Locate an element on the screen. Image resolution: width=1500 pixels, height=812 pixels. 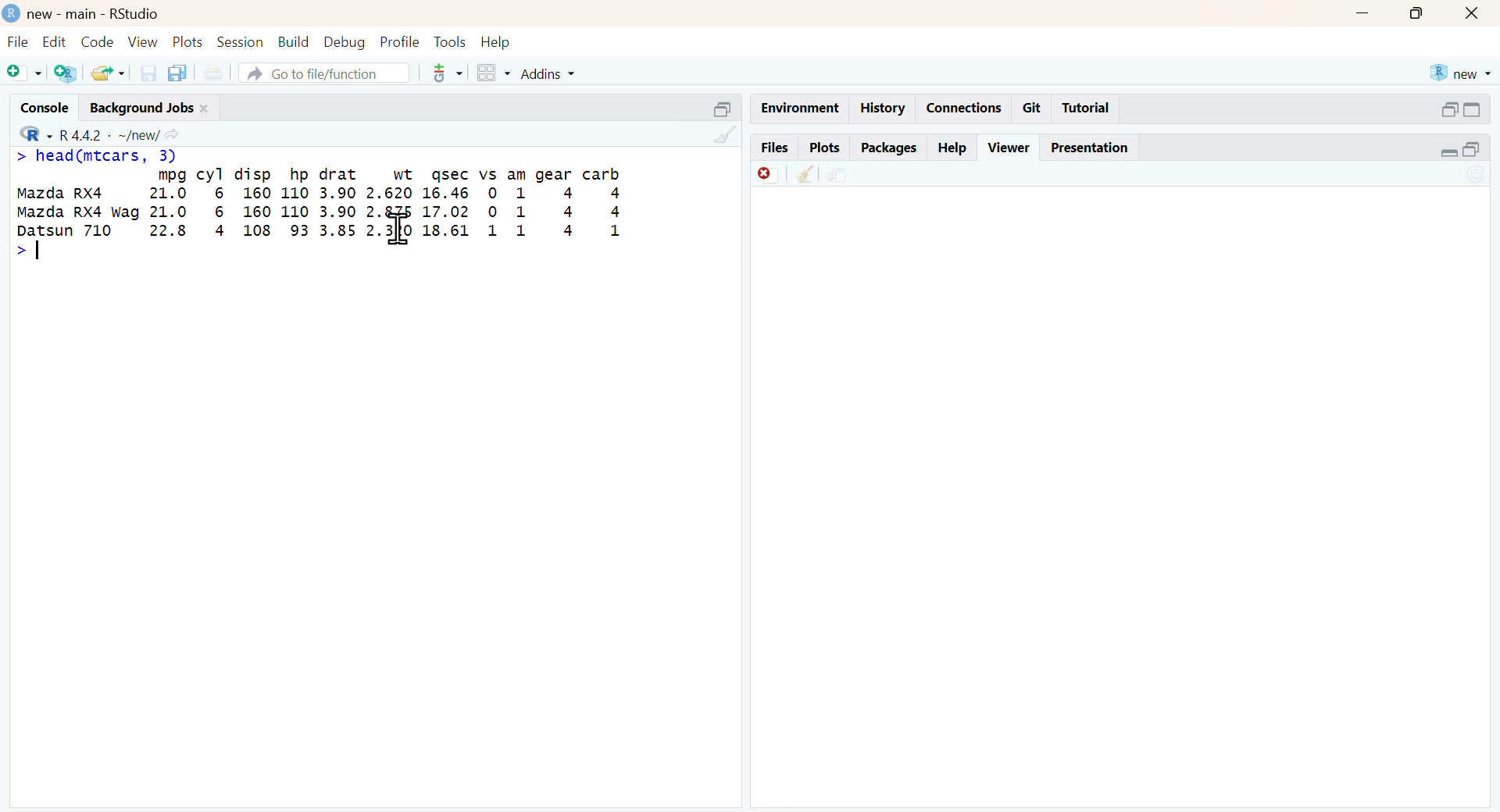
text cursor is located at coordinates (395, 229).